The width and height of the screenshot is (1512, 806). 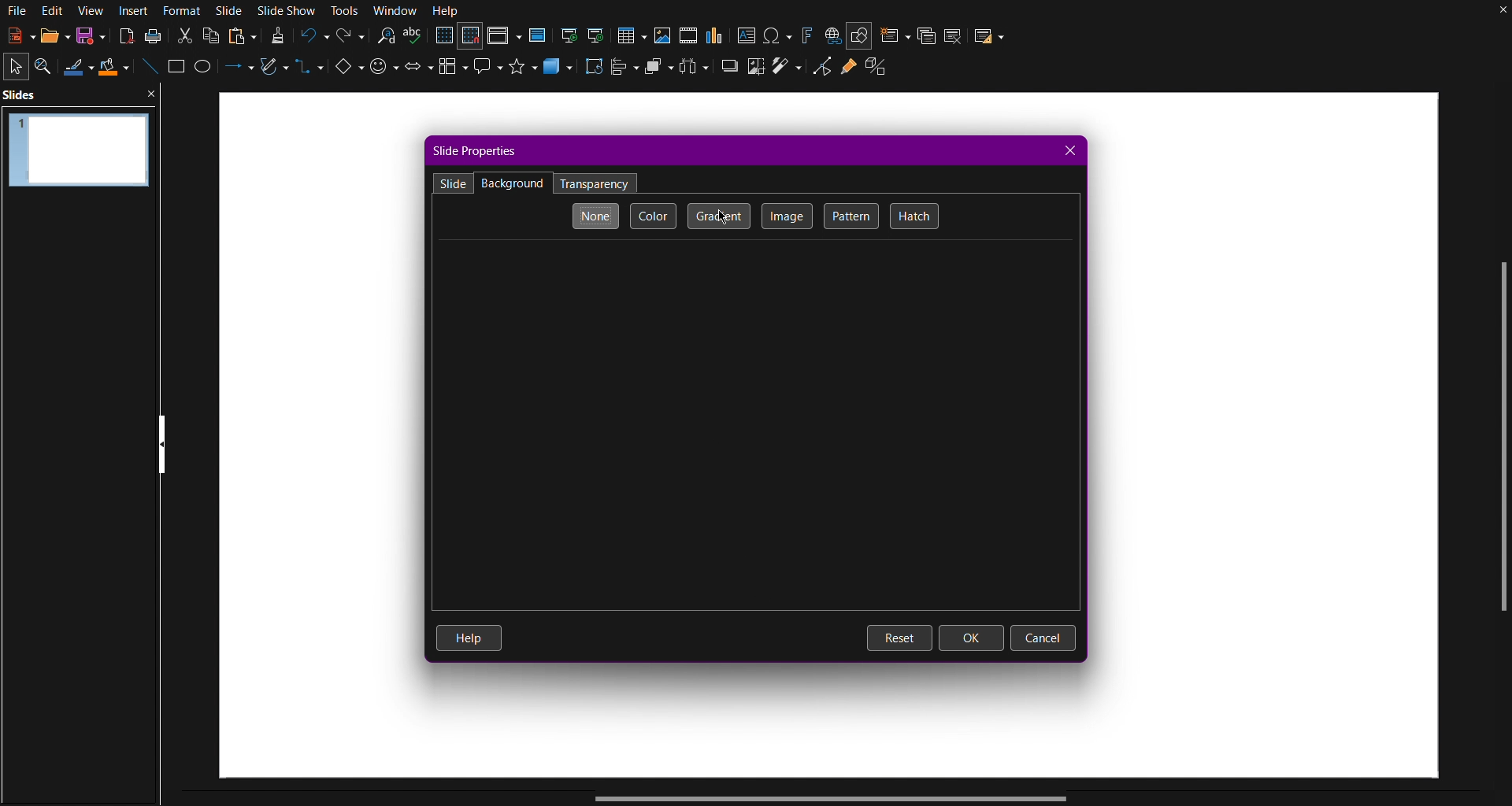 I want to click on Insert Textbox, so click(x=747, y=35).